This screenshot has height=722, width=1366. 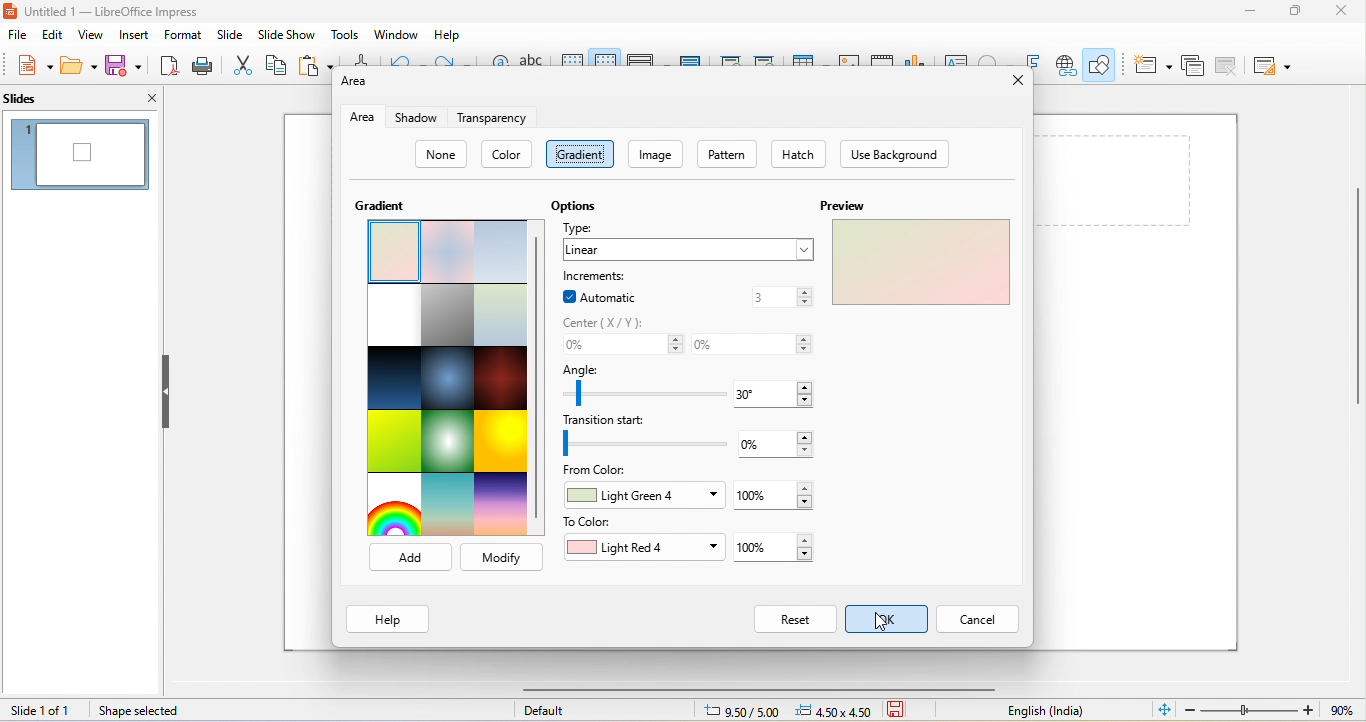 I want to click on 3, so click(x=756, y=297).